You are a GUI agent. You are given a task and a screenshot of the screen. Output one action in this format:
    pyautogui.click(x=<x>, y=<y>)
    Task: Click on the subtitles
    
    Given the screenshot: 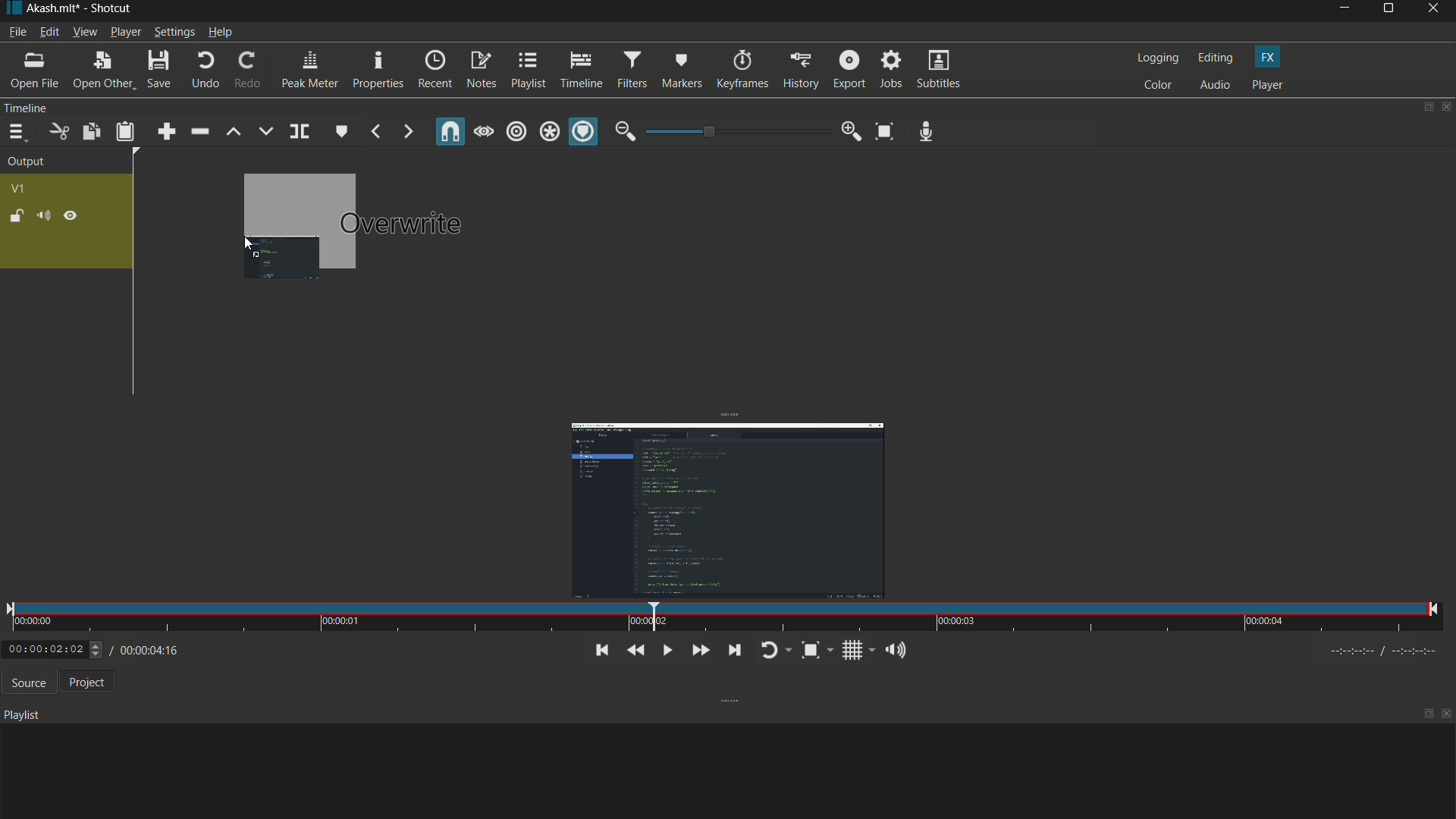 What is the action you would take?
    pyautogui.click(x=940, y=69)
    